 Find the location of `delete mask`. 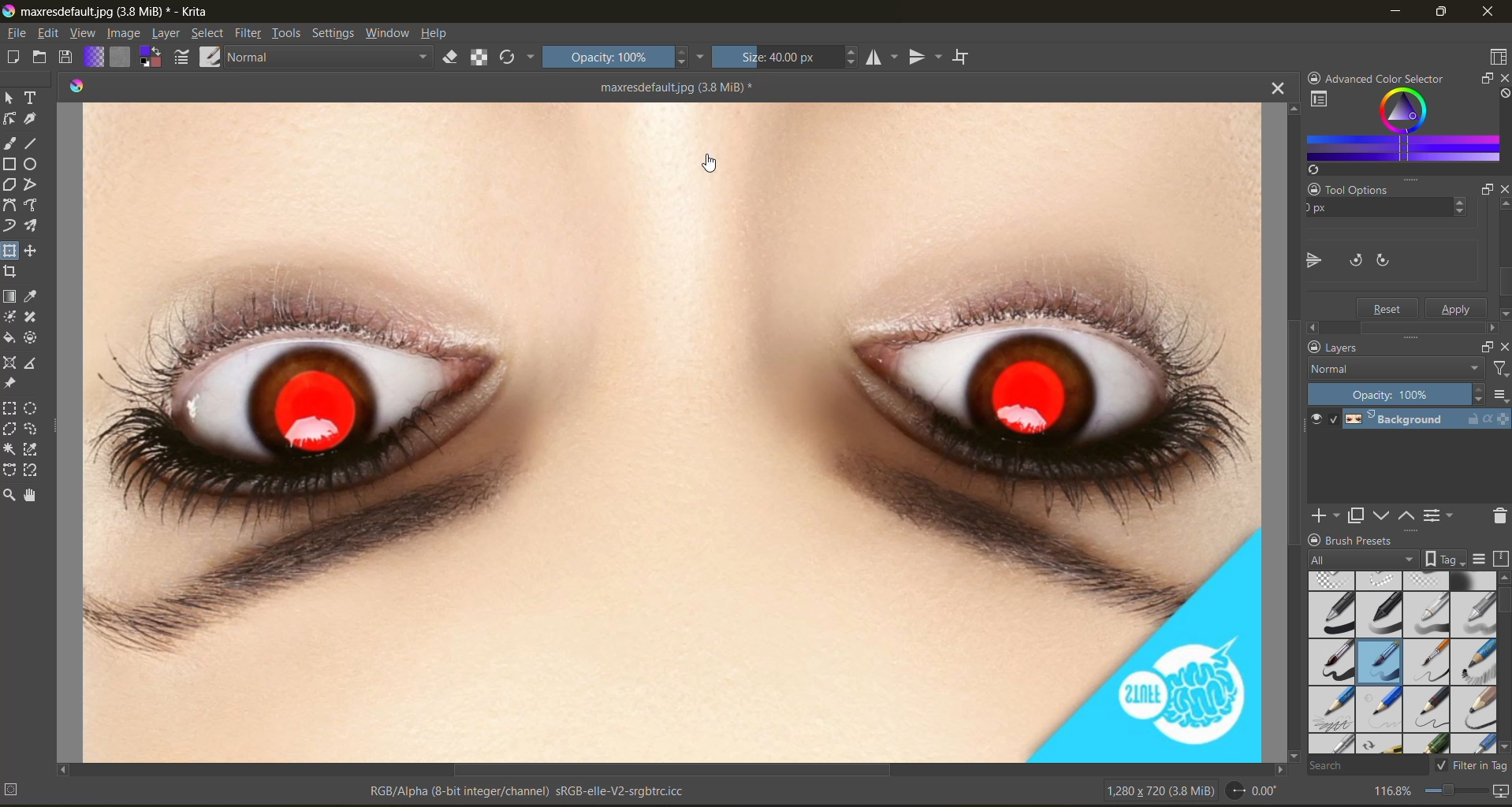

delete mask is located at coordinates (1501, 516).